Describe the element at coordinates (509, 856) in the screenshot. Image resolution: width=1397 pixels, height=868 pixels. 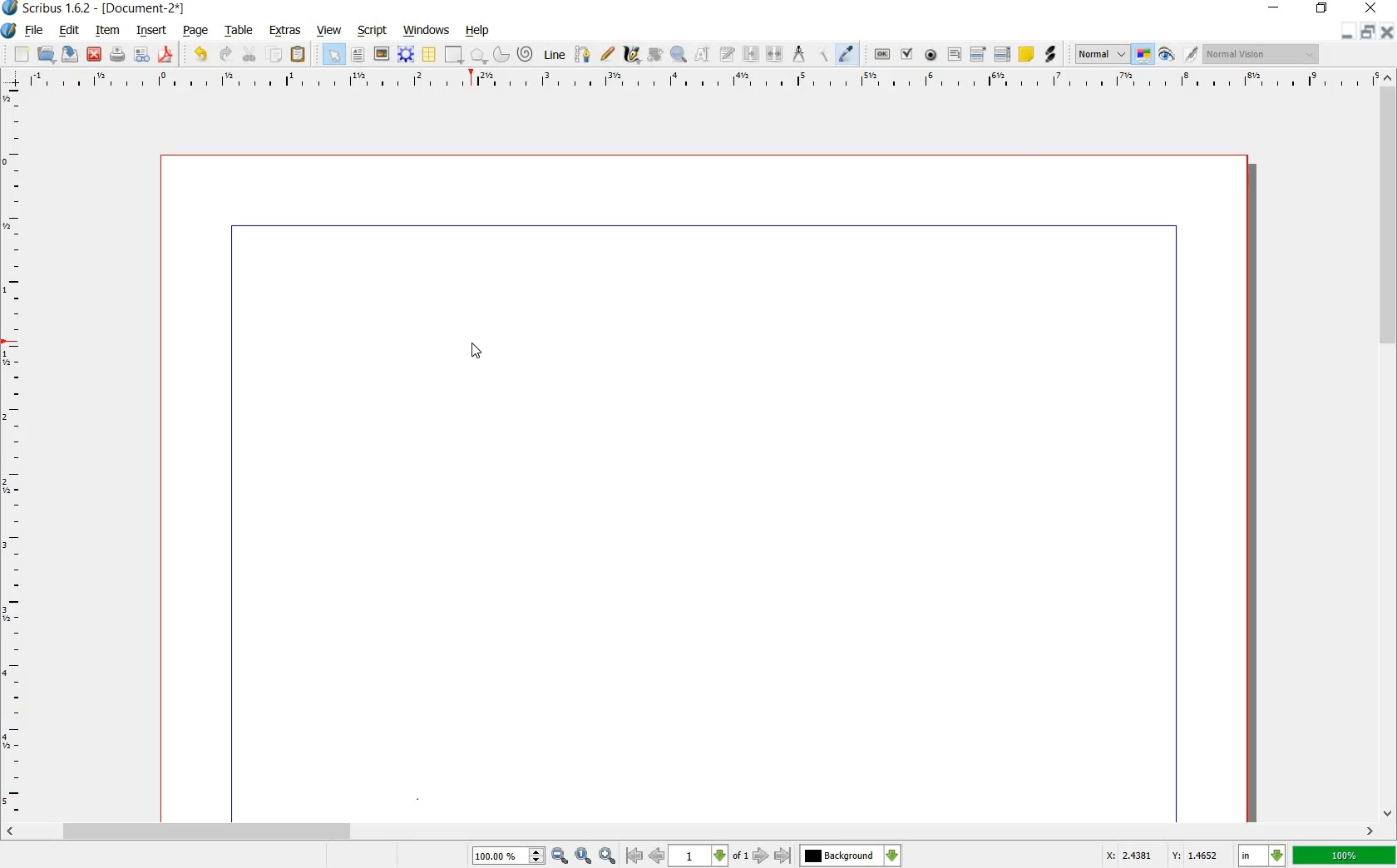
I see `100.00%` at that location.